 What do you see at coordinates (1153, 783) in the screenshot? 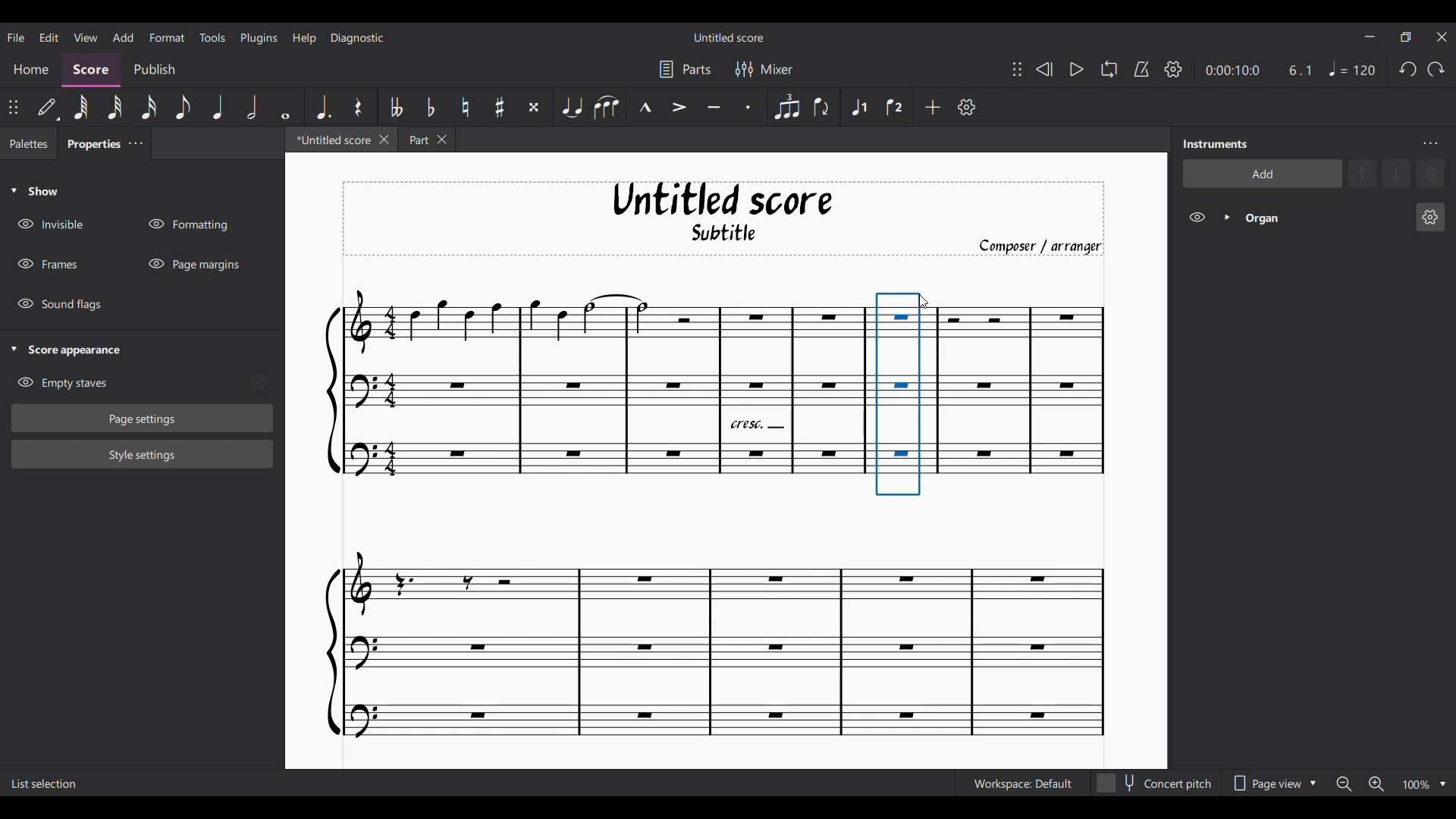
I see `Toggle for Concert pitch` at bounding box center [1153, 783].